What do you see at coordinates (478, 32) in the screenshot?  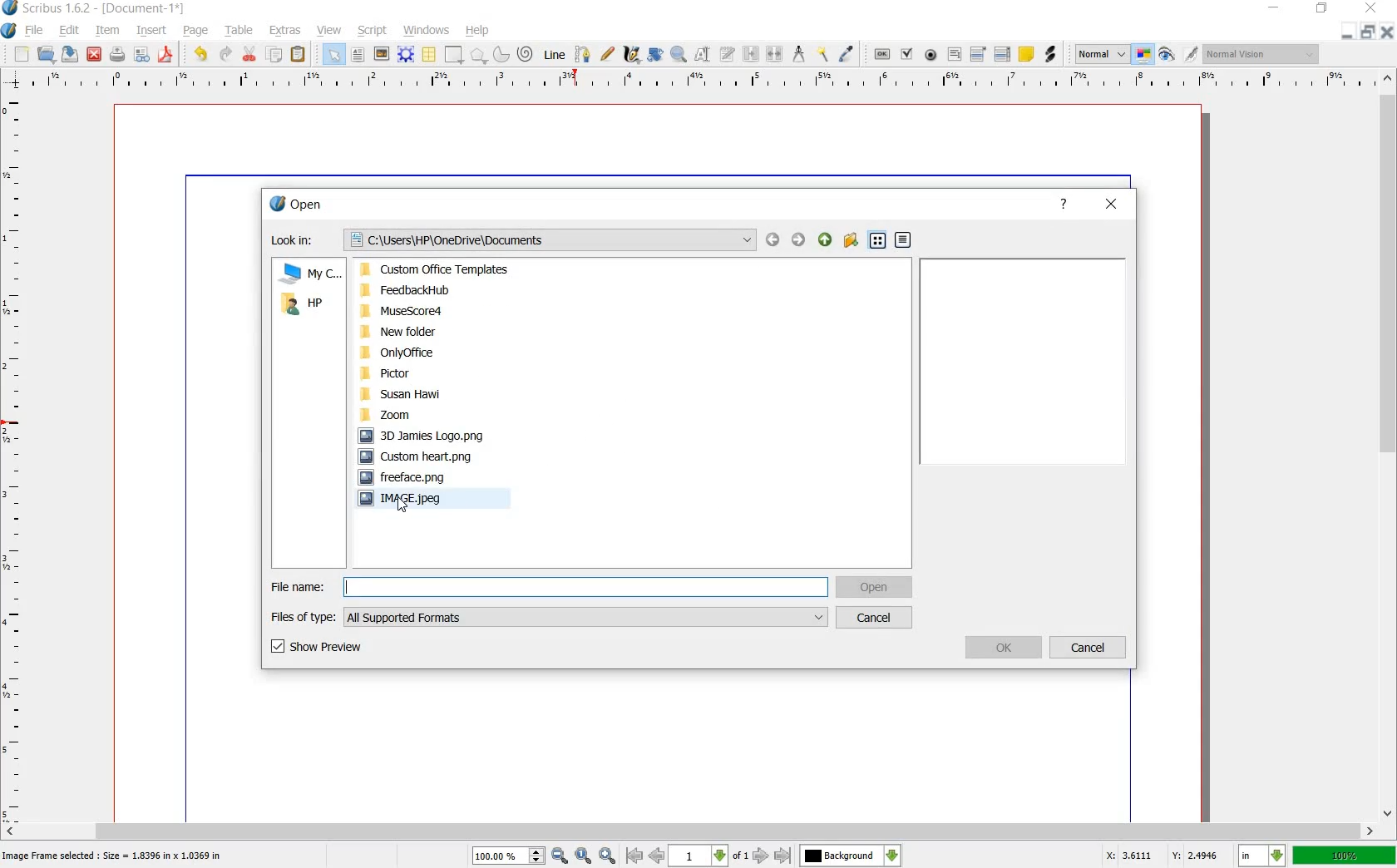 I see `help` at bounding box center [478, 32].